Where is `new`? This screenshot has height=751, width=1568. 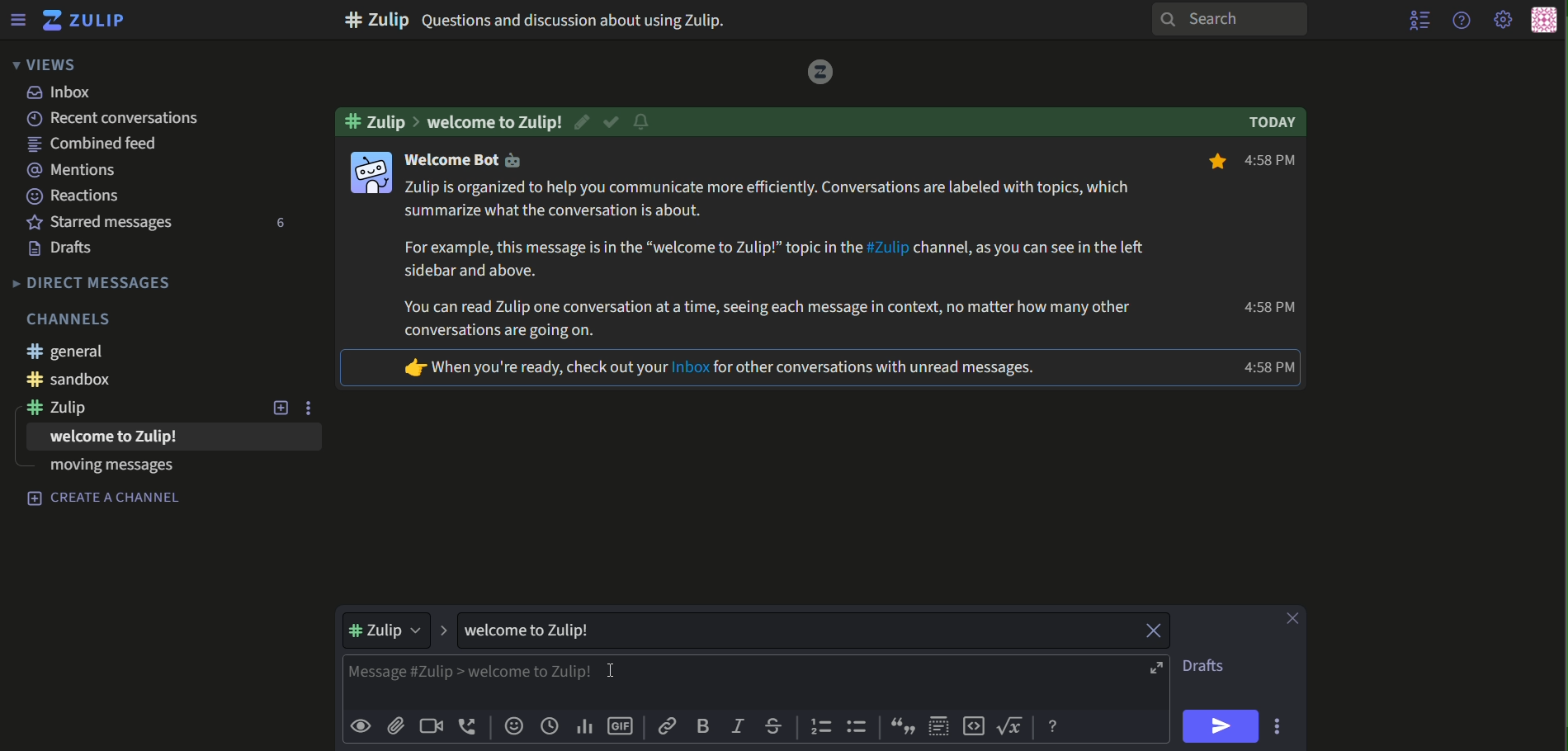 new is located at coordinates (281, 409).